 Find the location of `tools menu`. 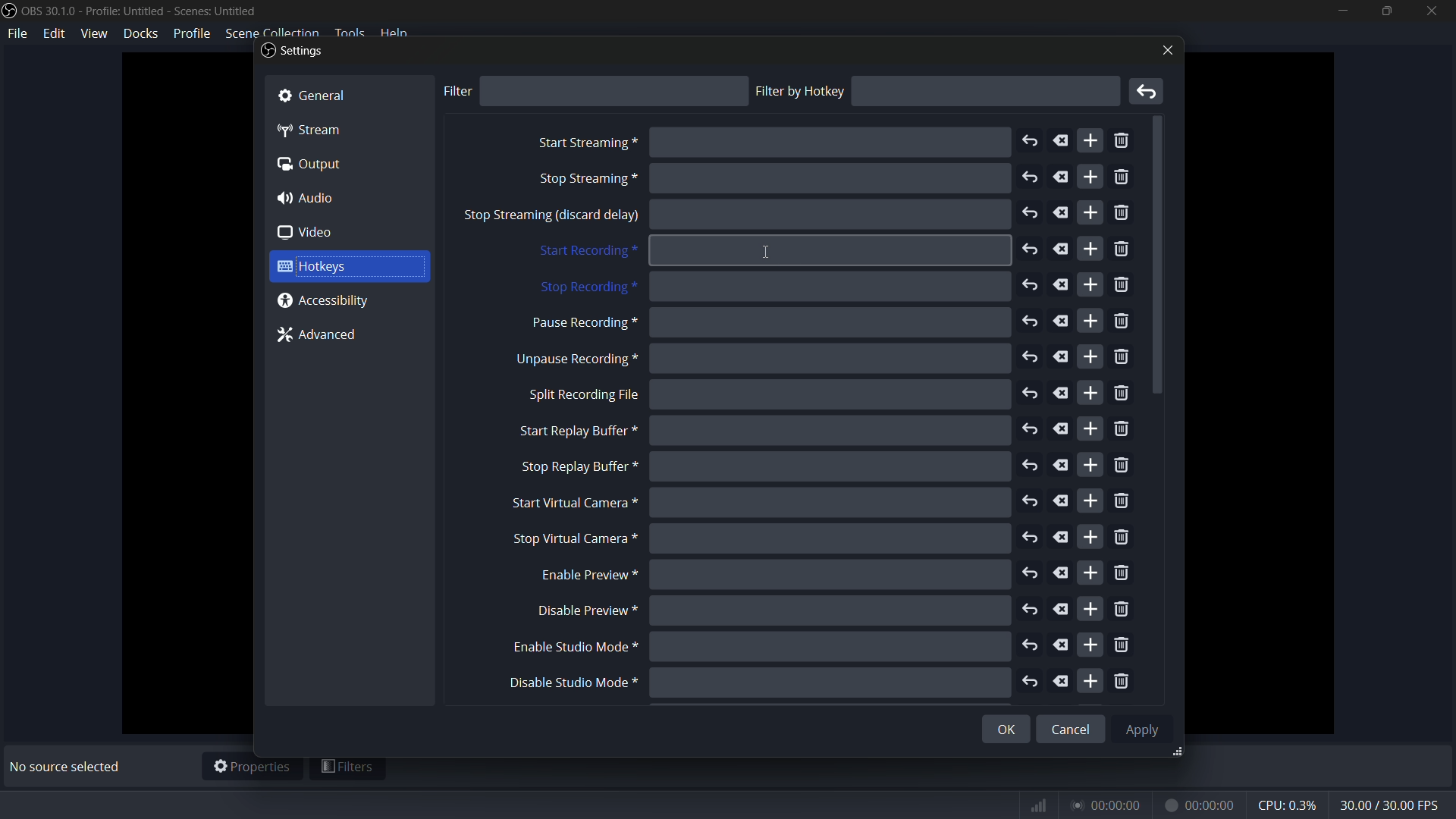

tools menu is located at coordinates (349, 33).